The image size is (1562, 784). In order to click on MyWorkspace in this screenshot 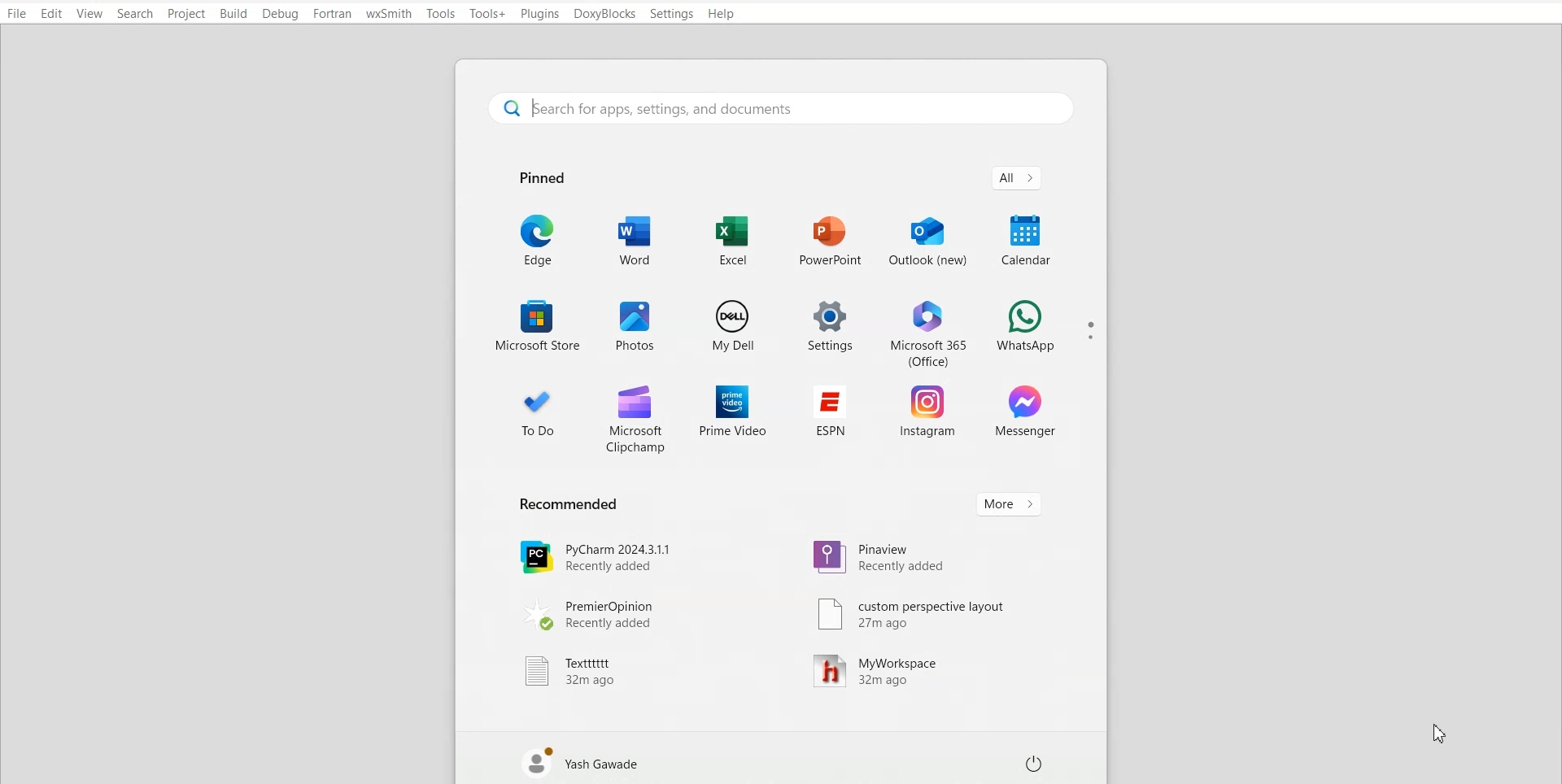, I will do `click(877, 669)`.